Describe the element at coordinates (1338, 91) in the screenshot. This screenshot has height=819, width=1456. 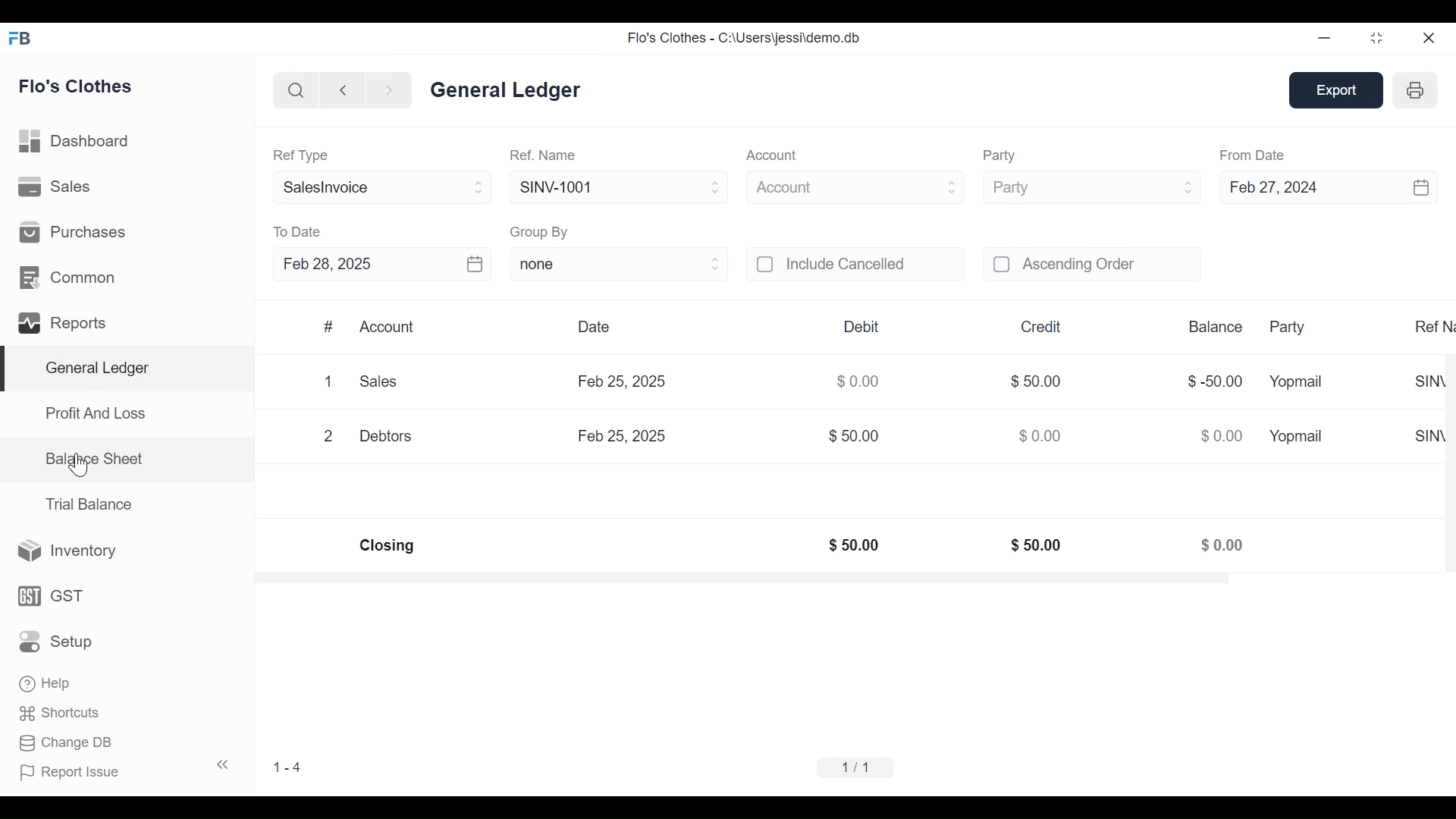
I see `Export` at that location.